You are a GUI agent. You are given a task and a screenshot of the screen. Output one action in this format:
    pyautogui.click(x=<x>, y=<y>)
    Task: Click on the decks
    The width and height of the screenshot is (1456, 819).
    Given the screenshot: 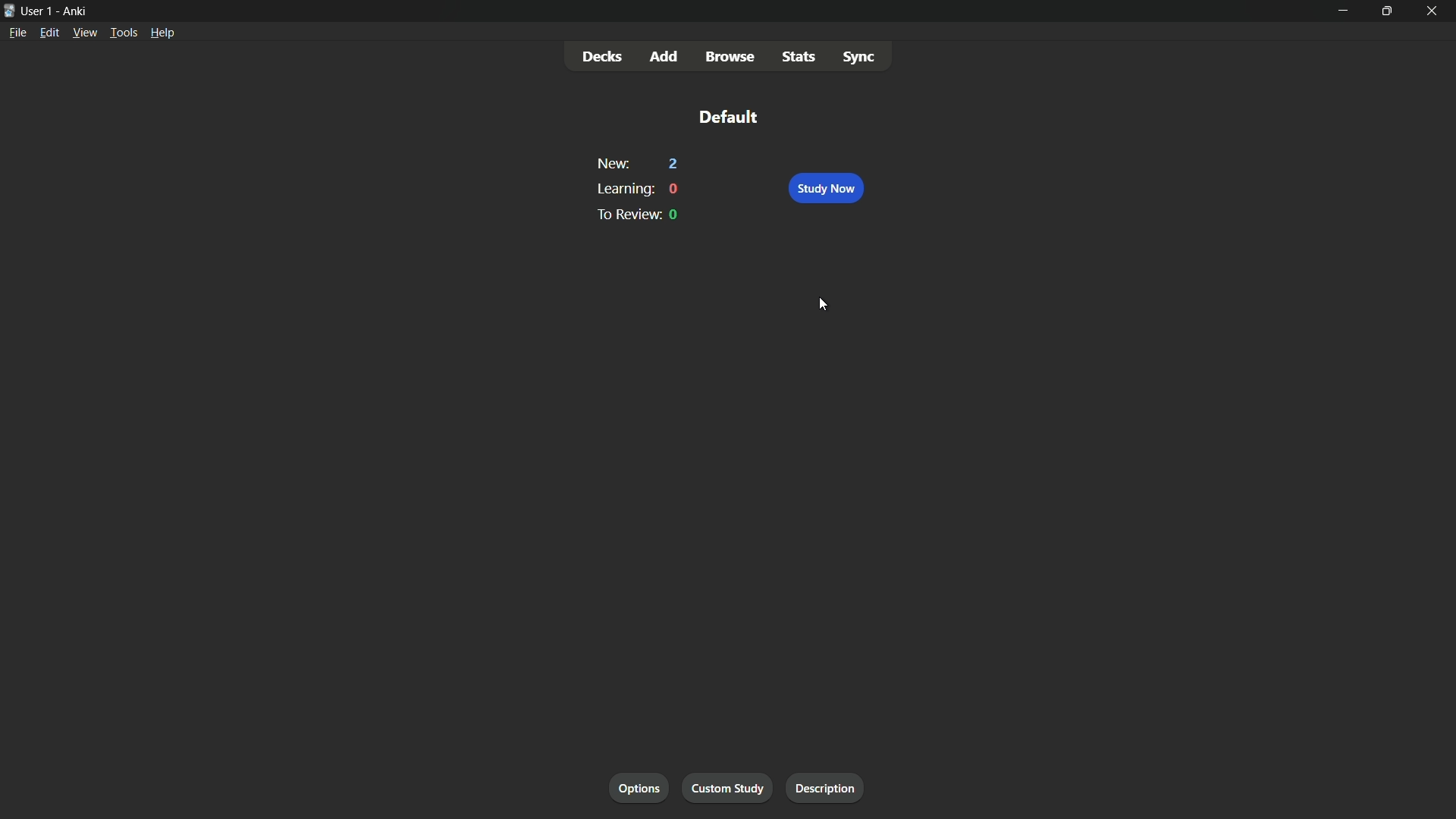 What is the action you would take?
    pyautogui.click(x=602, y=58)
    